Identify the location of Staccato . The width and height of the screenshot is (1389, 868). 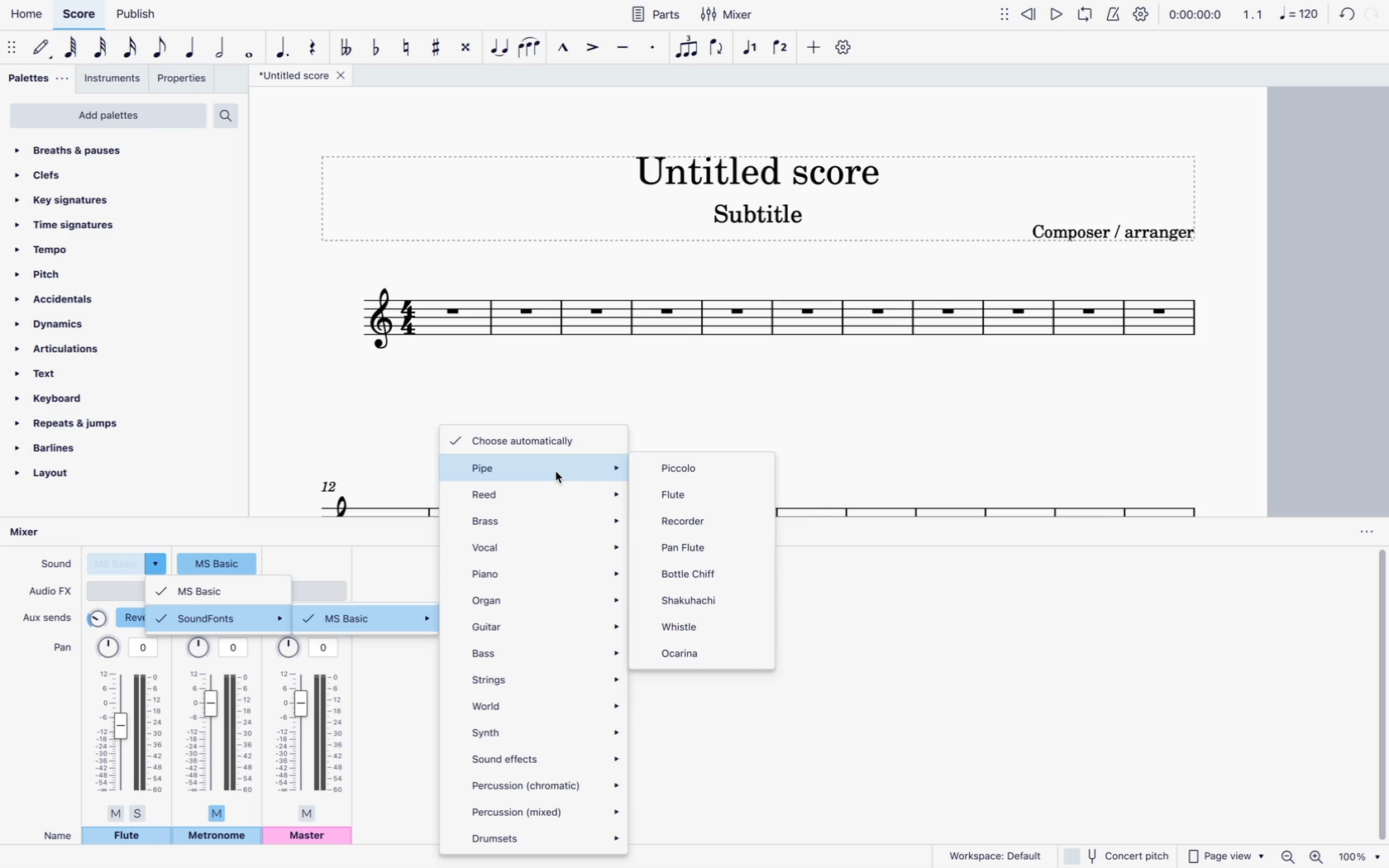
(655, 45).